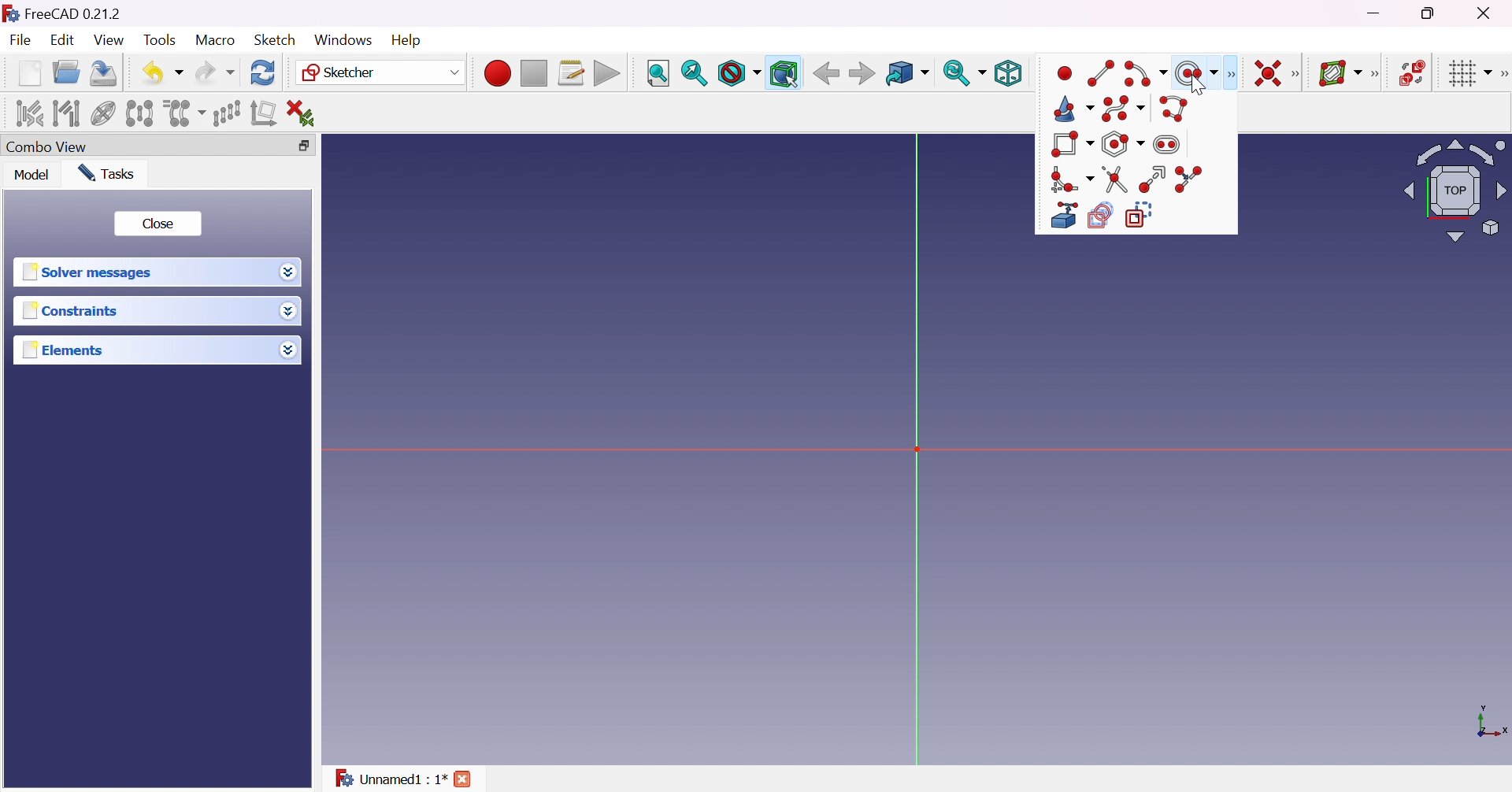 The image size is (1512, 792). Describe the element at coordinates (1230, 75) in the screenshot. I see `Sketcher geometries` at that location.